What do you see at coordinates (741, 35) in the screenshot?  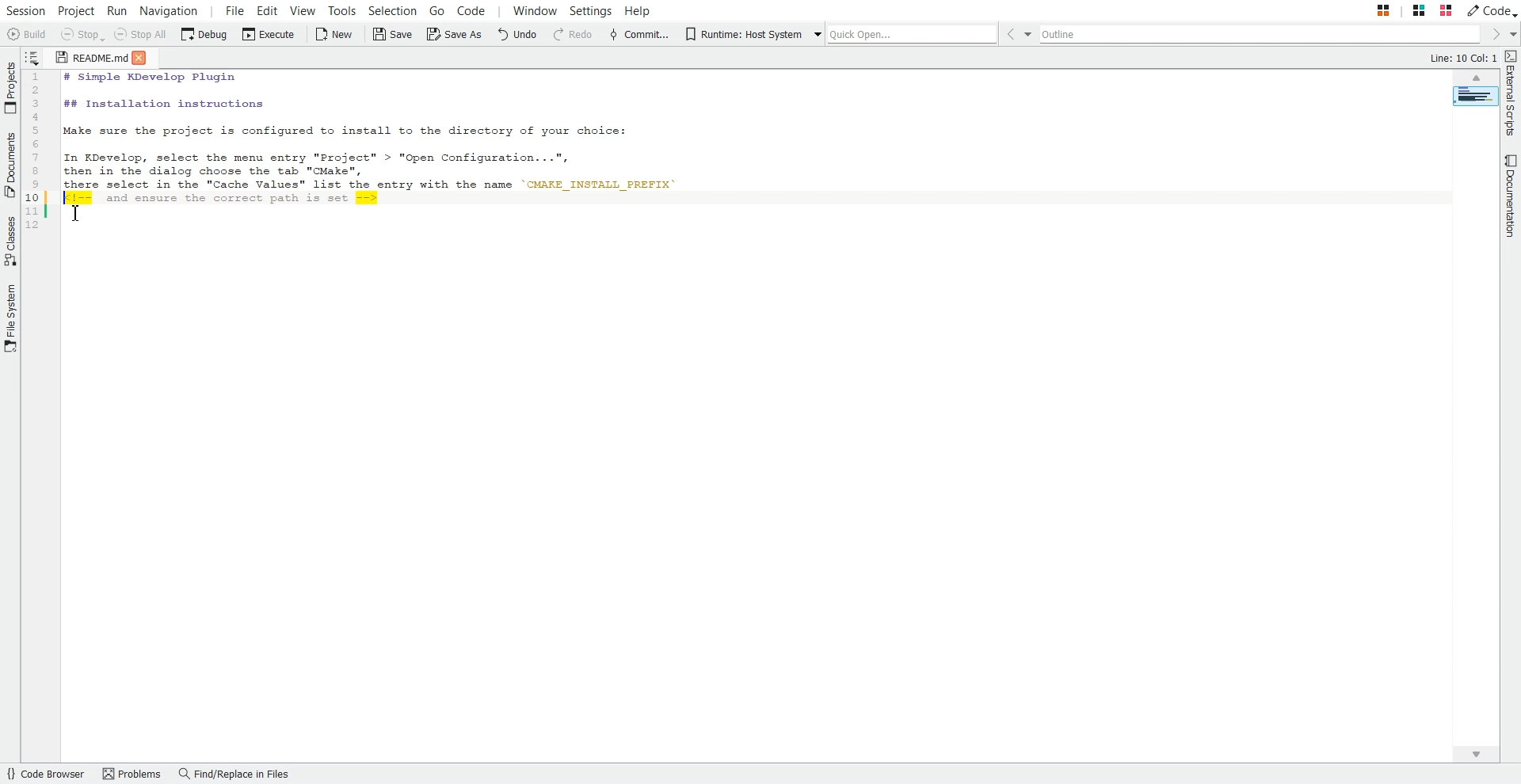 I see `Runtime: Host System` at bounding box center [741, 35].